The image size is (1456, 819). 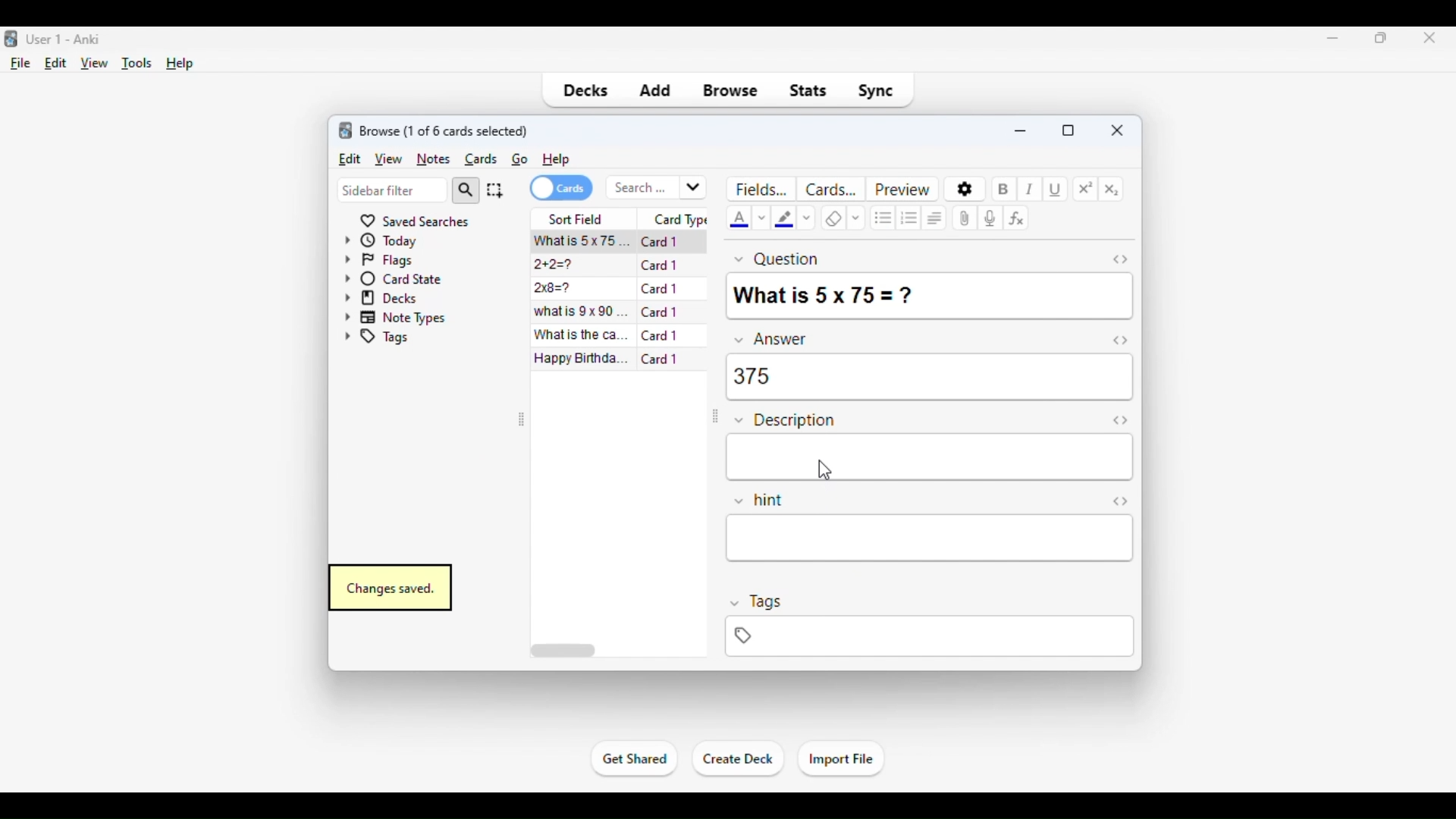 What do you see at coordinates (807, 219) in the screenshot?
I see `change color` at bounding box center [807, 219].